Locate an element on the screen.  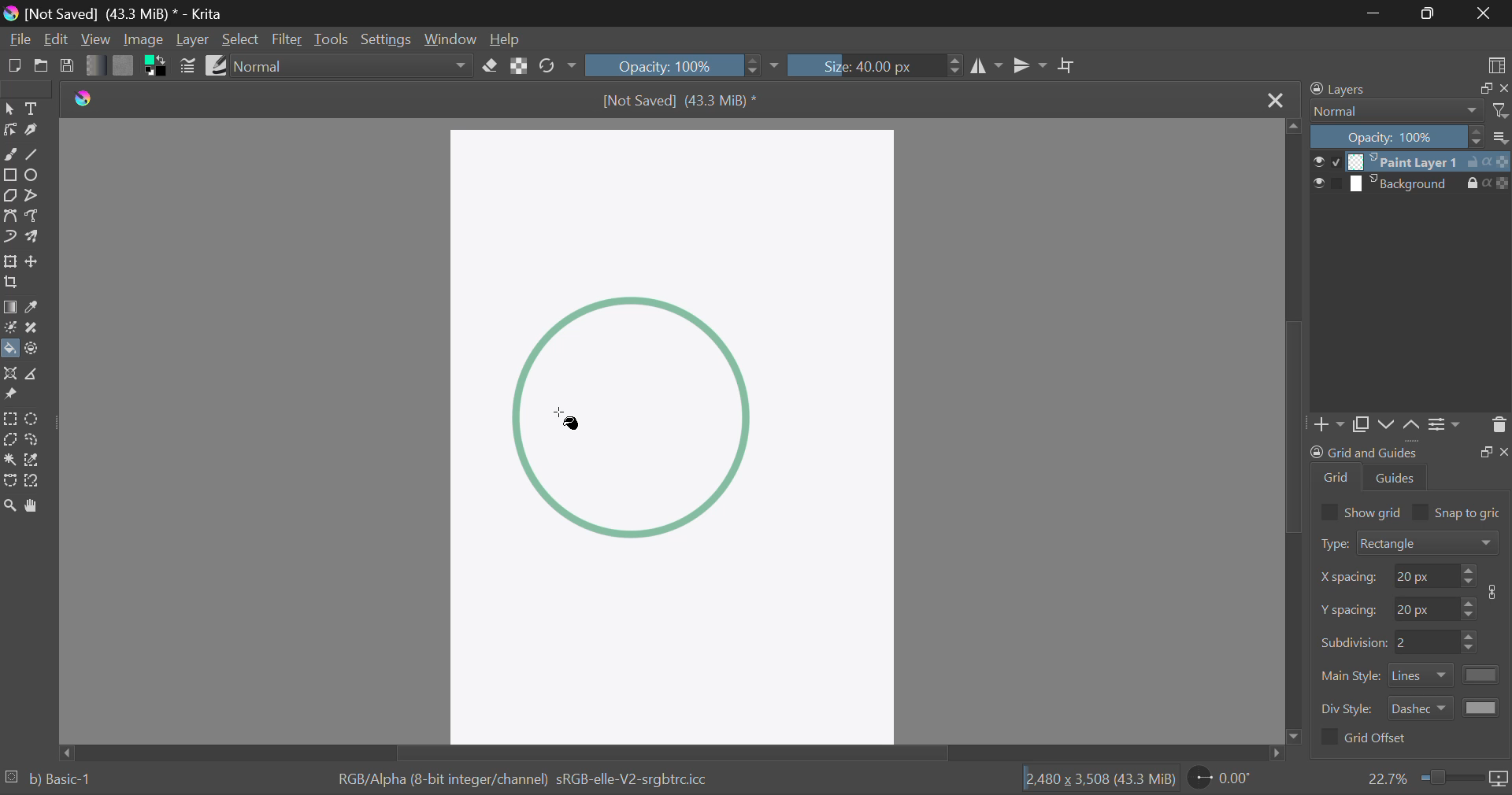
Blending Modes is located at coordinates (1409, 112).